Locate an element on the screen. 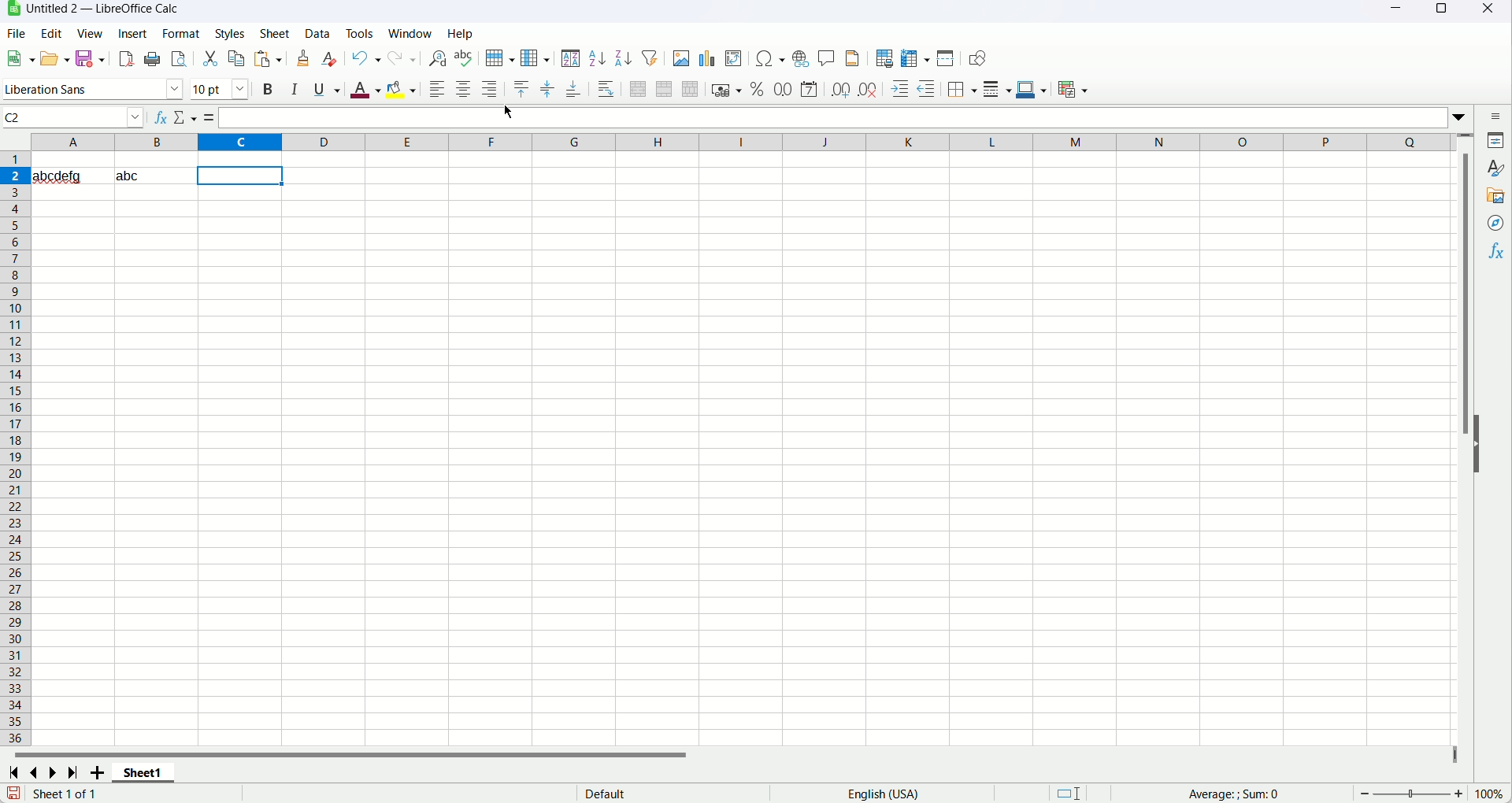 The height and width of the screenshot is (803, 1512). accept is located at coordinates (202, 117).